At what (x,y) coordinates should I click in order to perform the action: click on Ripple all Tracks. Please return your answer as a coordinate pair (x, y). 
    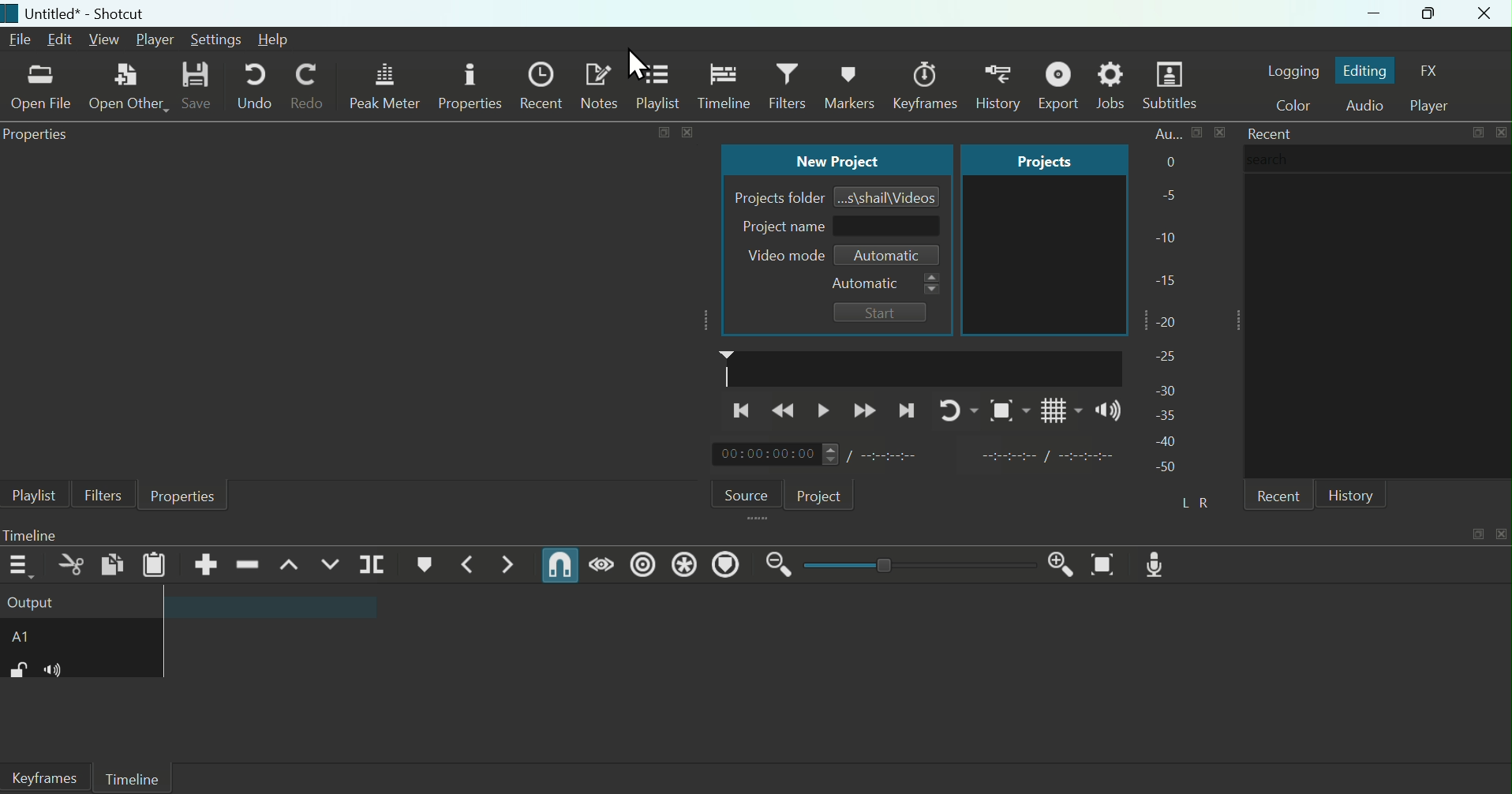
    Looking at the image, I should click on (684, 564).